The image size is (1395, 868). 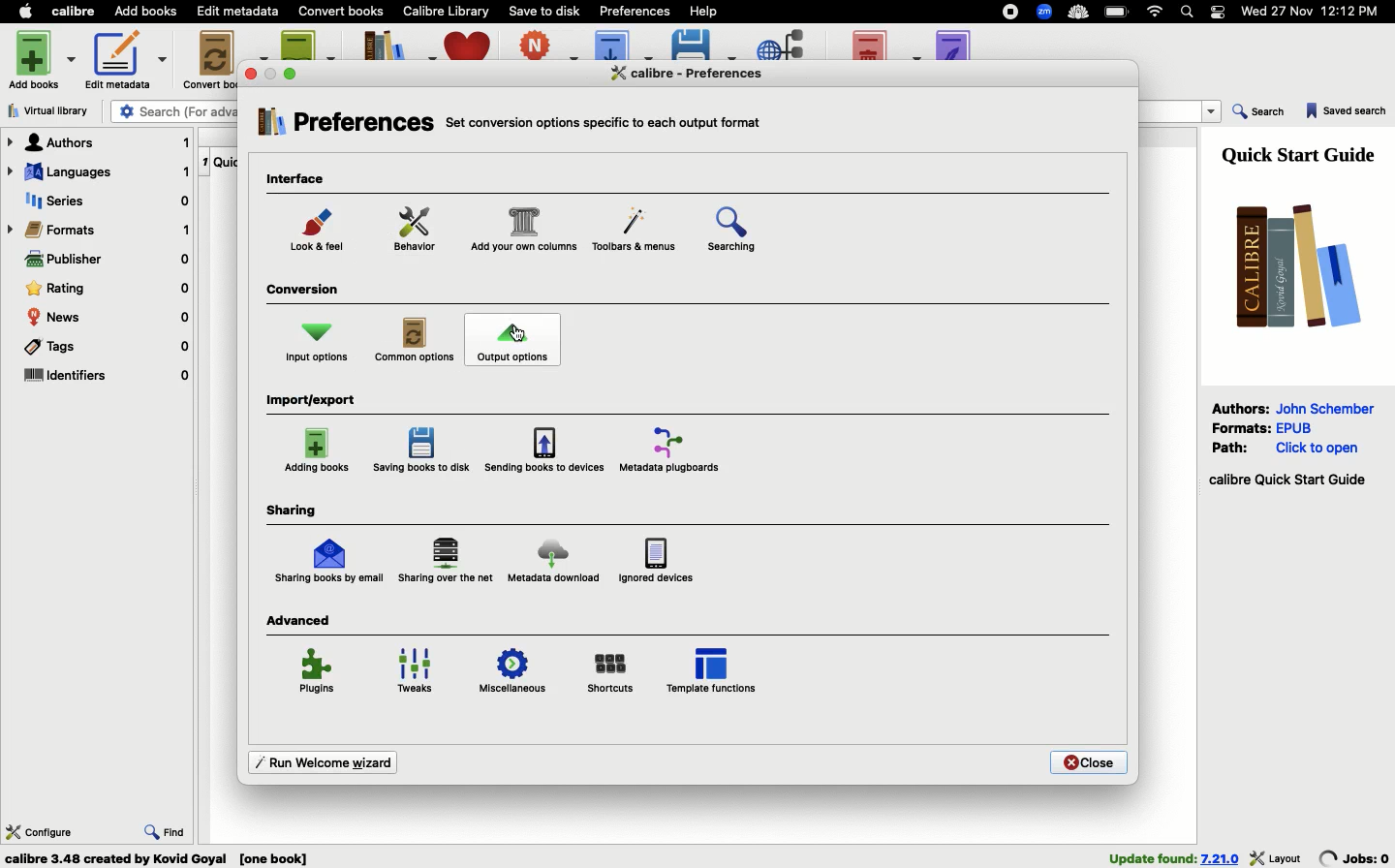 What do you see at coordinates (1286, 480) in the screenshot?
I see `Start guide` at bounding box center [1286, 480].